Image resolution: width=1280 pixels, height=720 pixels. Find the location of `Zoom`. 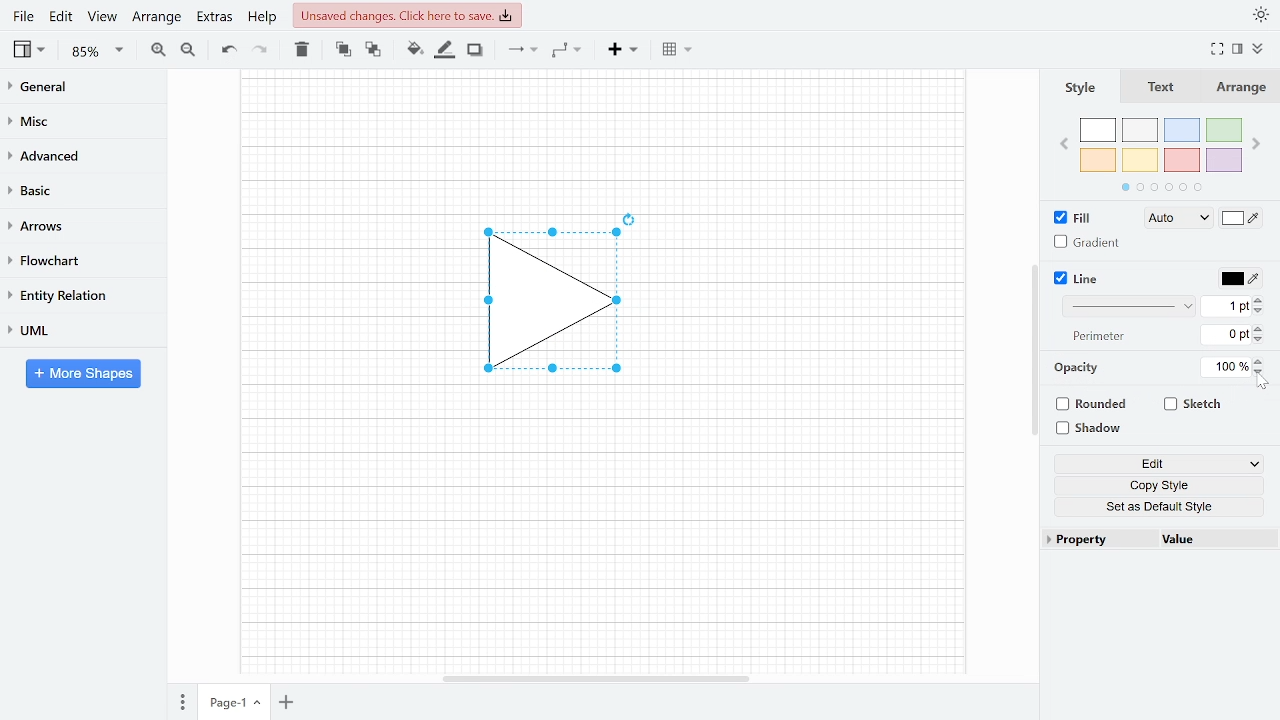

Zoom is located at coordinates (98, 51).